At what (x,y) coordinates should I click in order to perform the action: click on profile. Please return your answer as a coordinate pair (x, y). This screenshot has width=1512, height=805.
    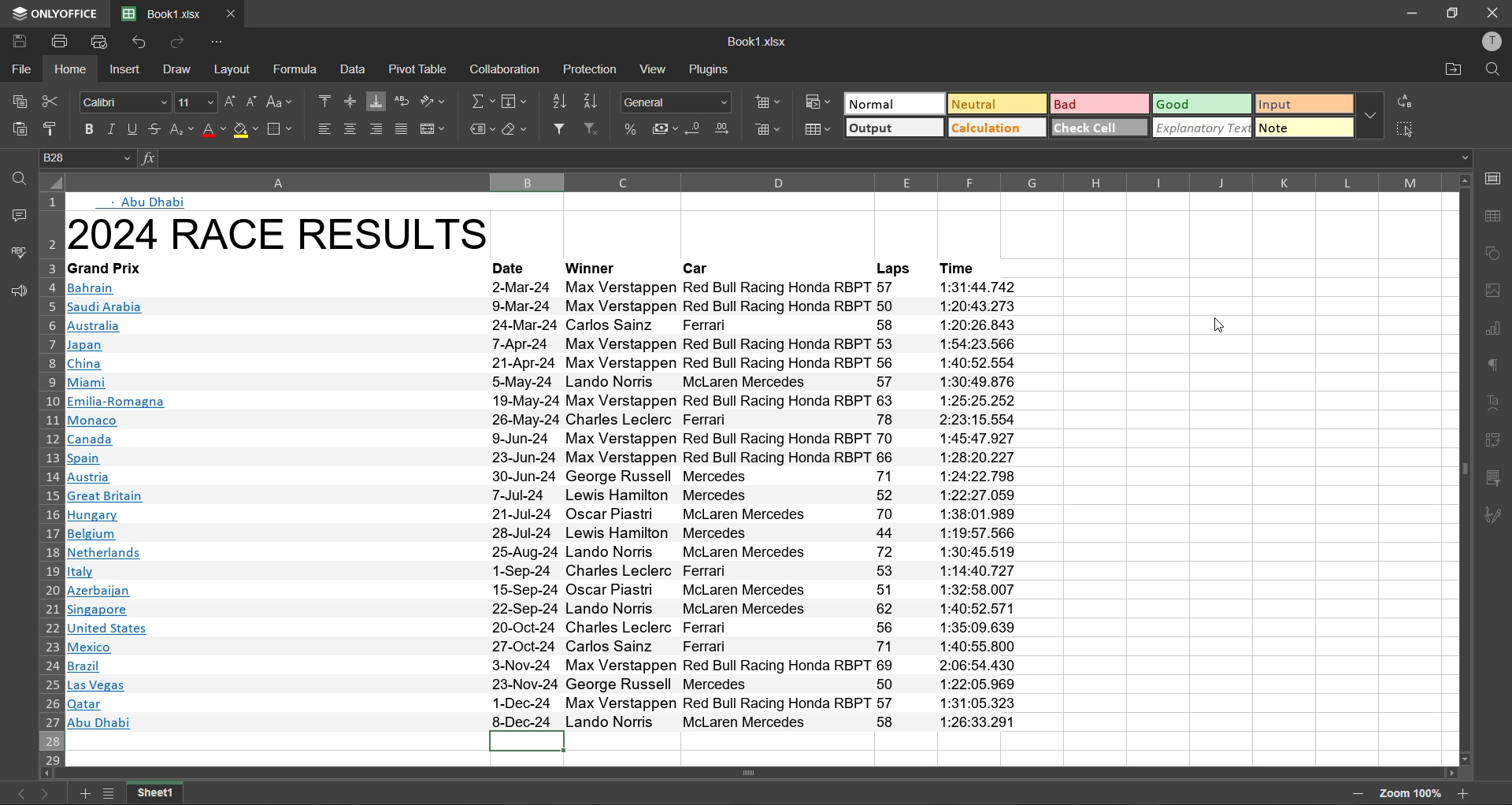
    Looking at the image, I should click on (1494, 39).